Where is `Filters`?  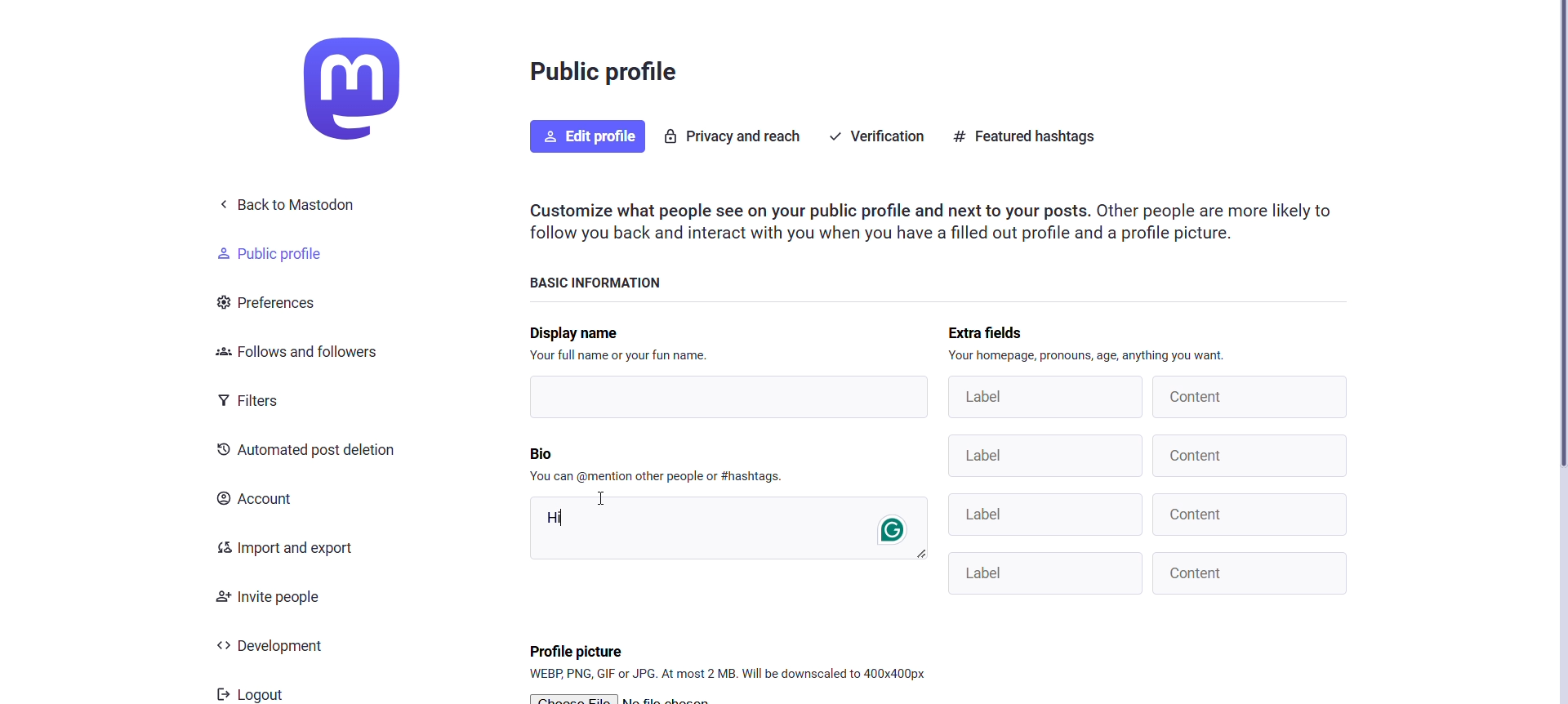
Filters is located at coordinates (257, 399).